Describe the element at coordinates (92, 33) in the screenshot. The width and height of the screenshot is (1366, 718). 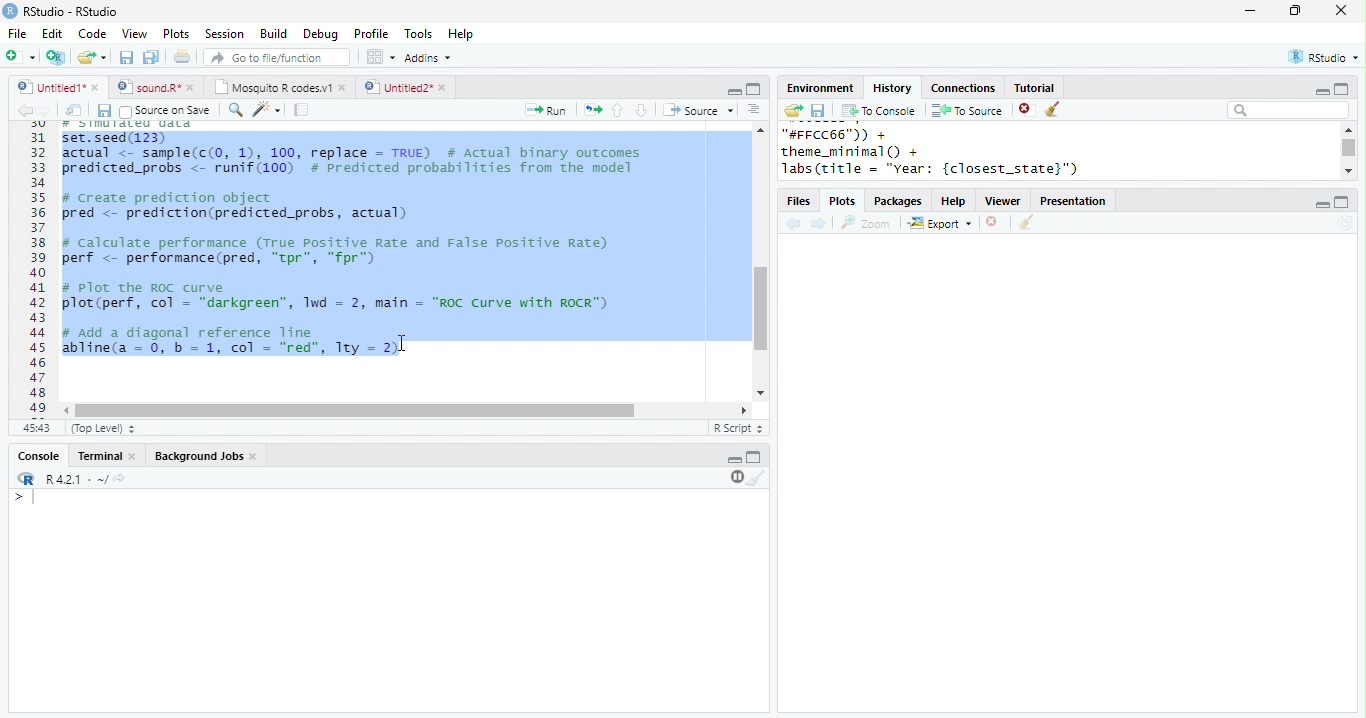
I see `Code` at that location.